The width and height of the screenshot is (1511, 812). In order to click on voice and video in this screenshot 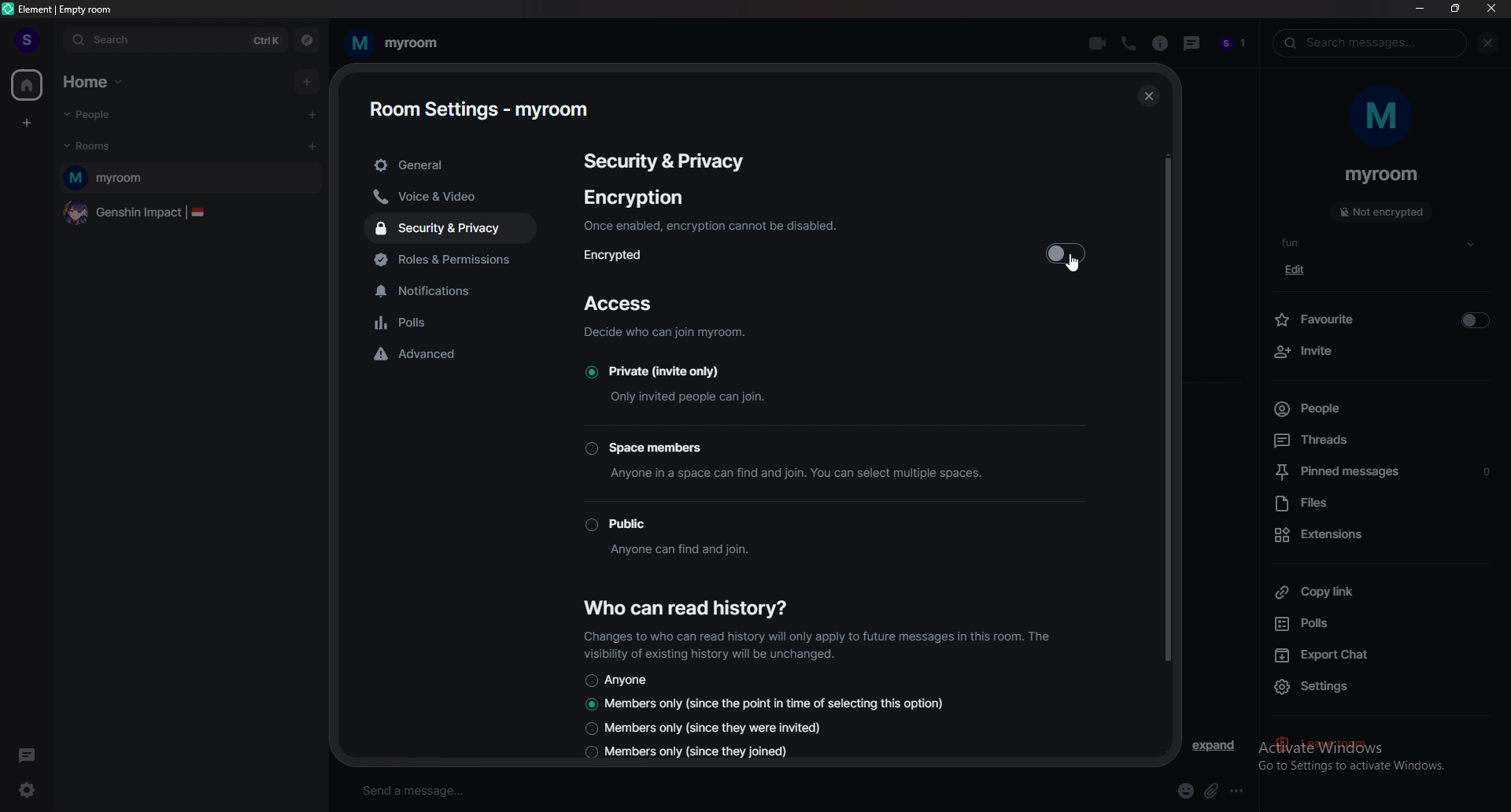, I will do `click(442, 198)`.